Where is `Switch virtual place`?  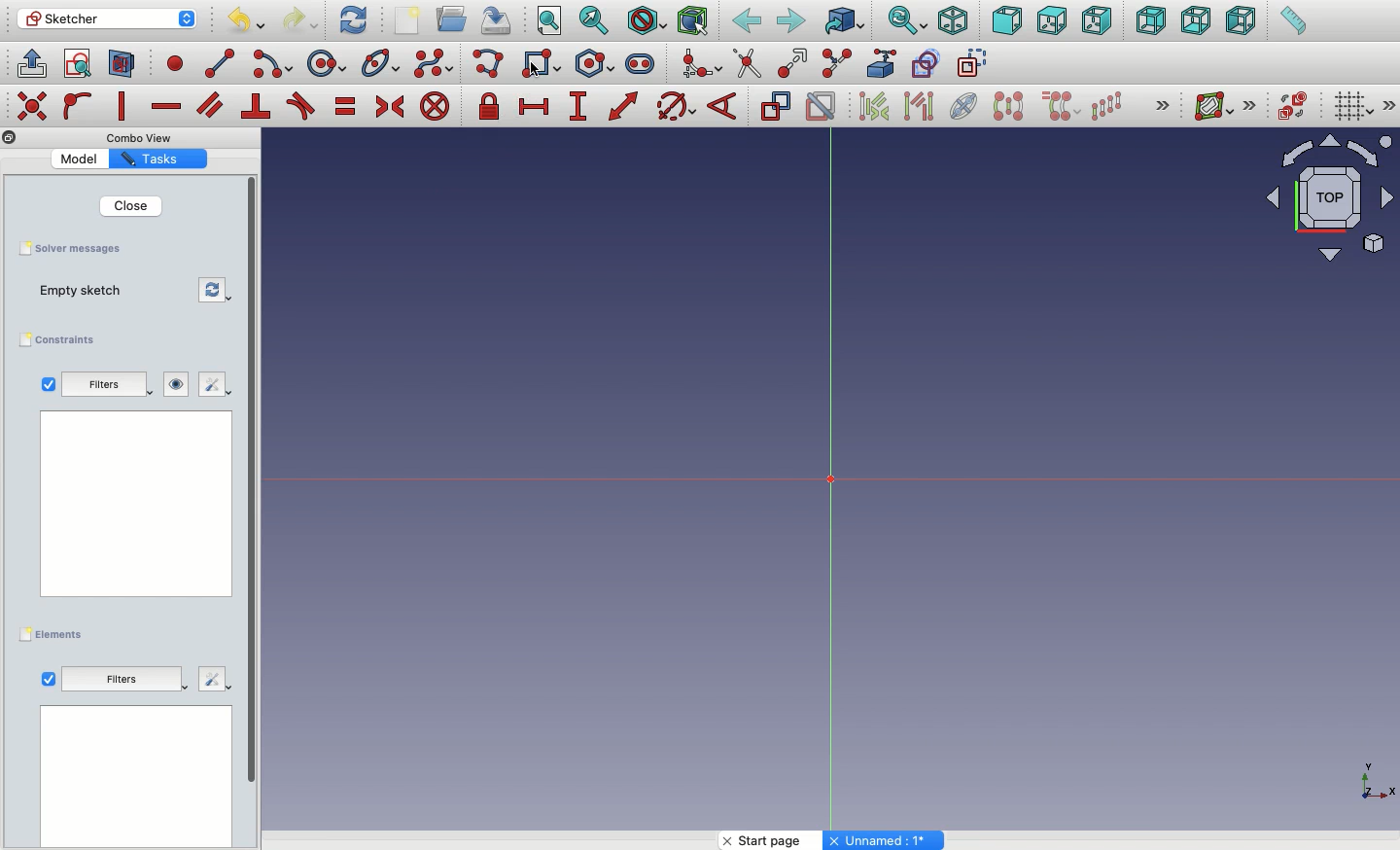
Switch virtual place is located at coordinates (1289, 108).